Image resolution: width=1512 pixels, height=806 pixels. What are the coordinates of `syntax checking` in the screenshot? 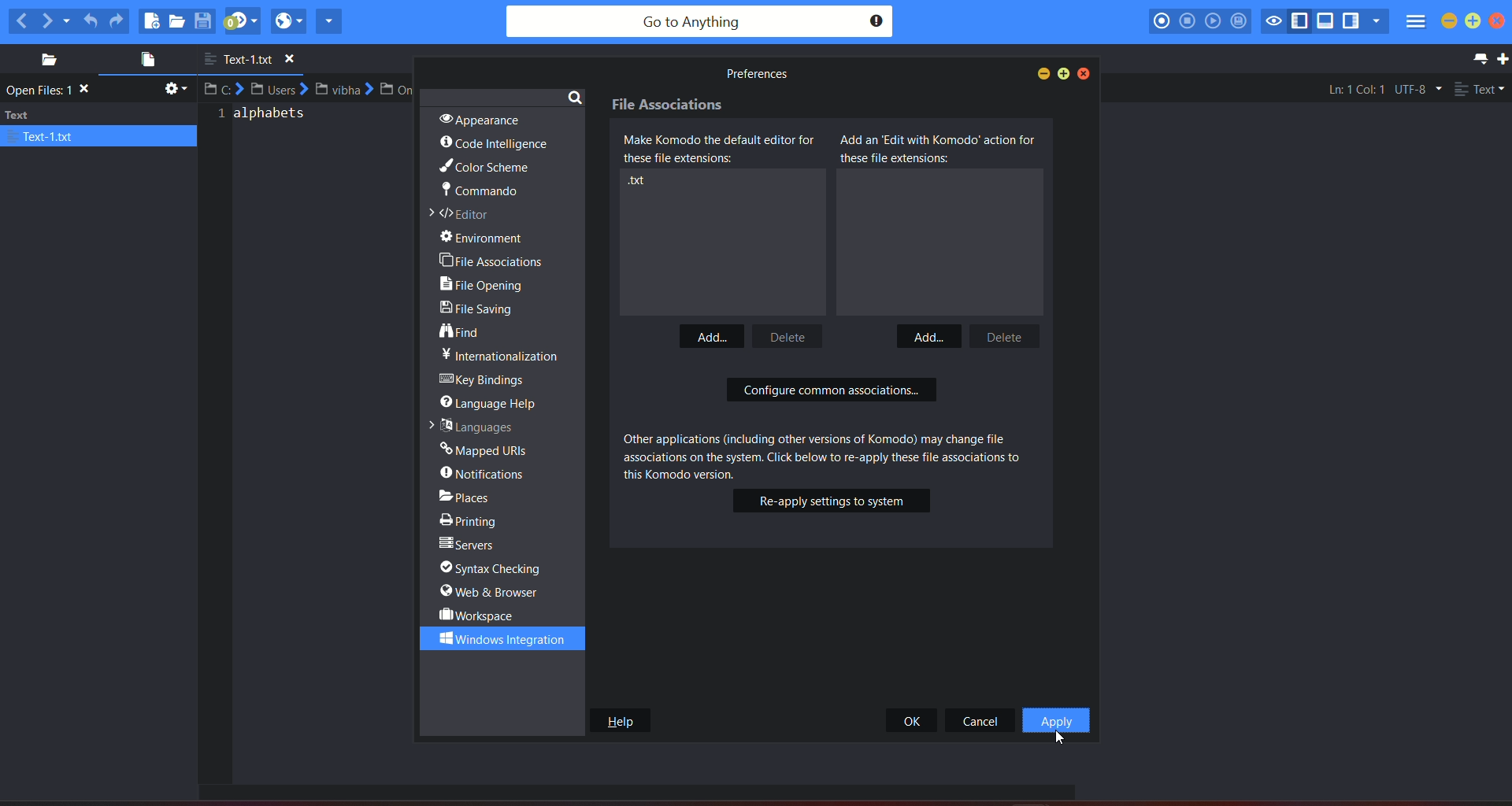 It's located at (498, 568).